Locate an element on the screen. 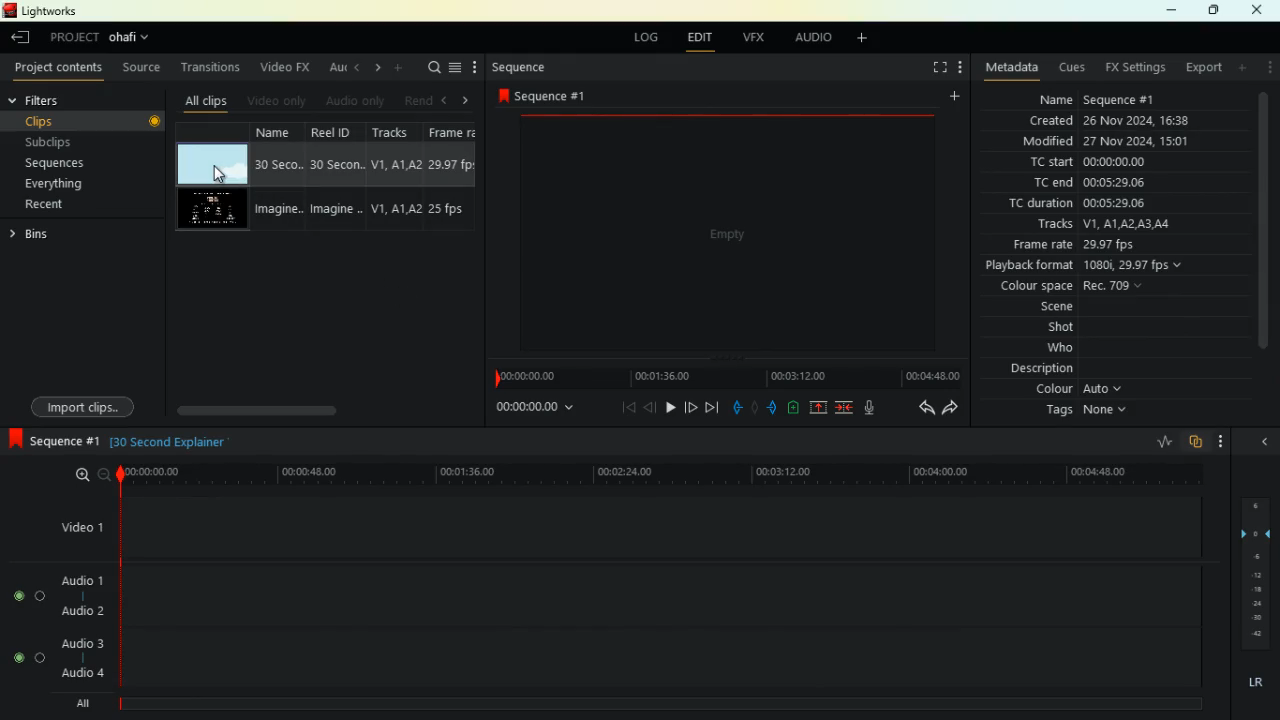  30 second explainer is located at coordinates (171, 440).